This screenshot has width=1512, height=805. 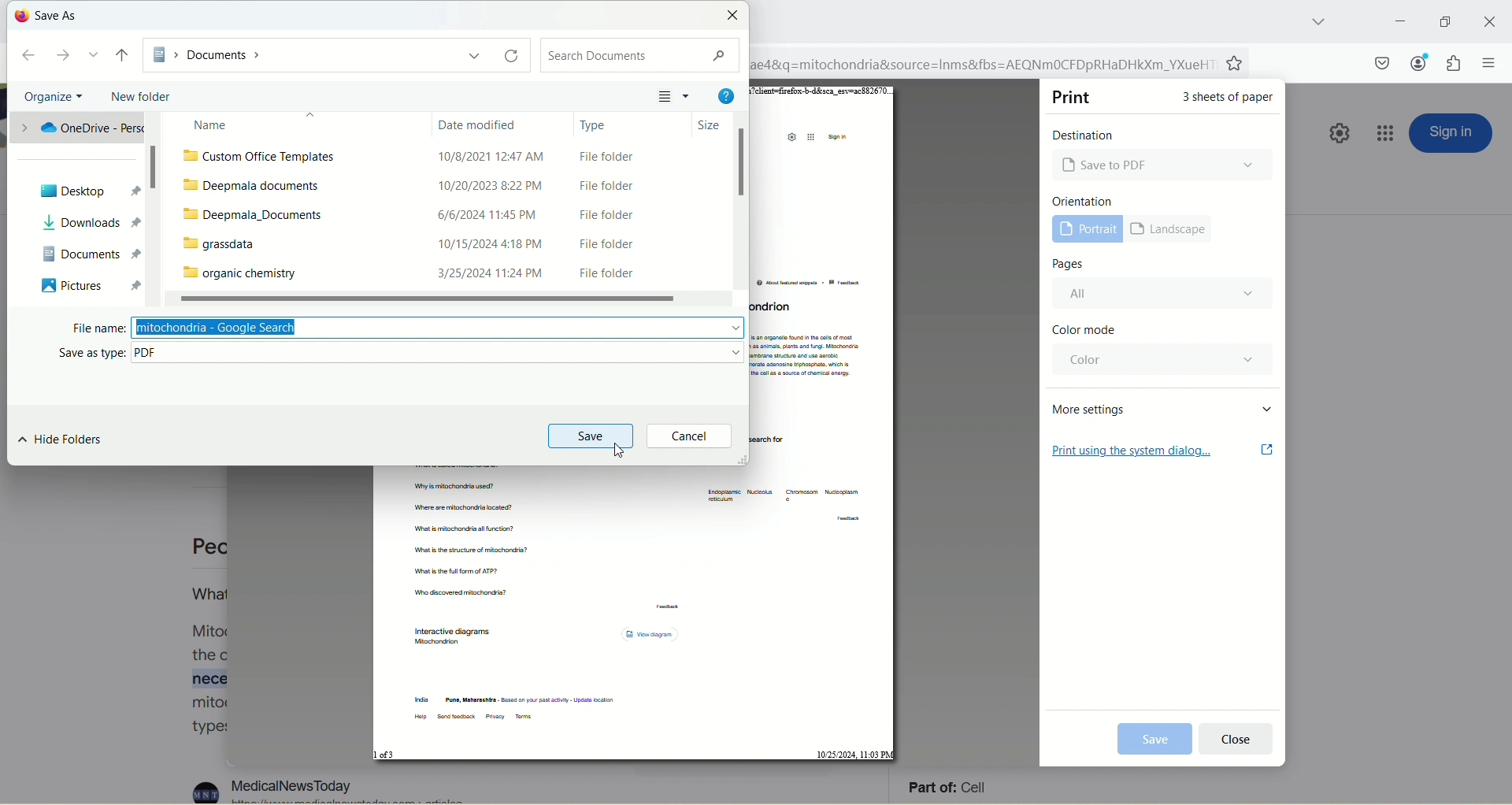 What do you see at coordinates (1084, 331) in the screenshot?
I see `color mode` at bounding box center [1084, 331].